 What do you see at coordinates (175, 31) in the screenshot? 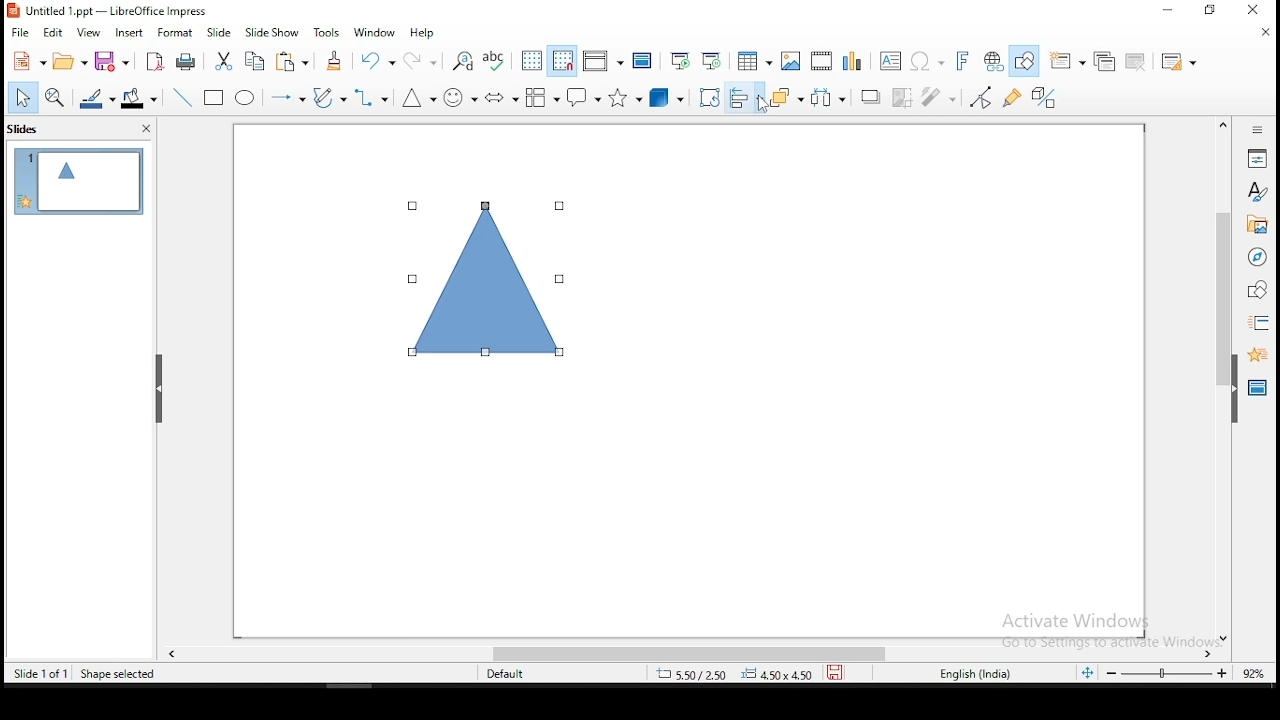
I see `format` at bounding box center [175, 31].